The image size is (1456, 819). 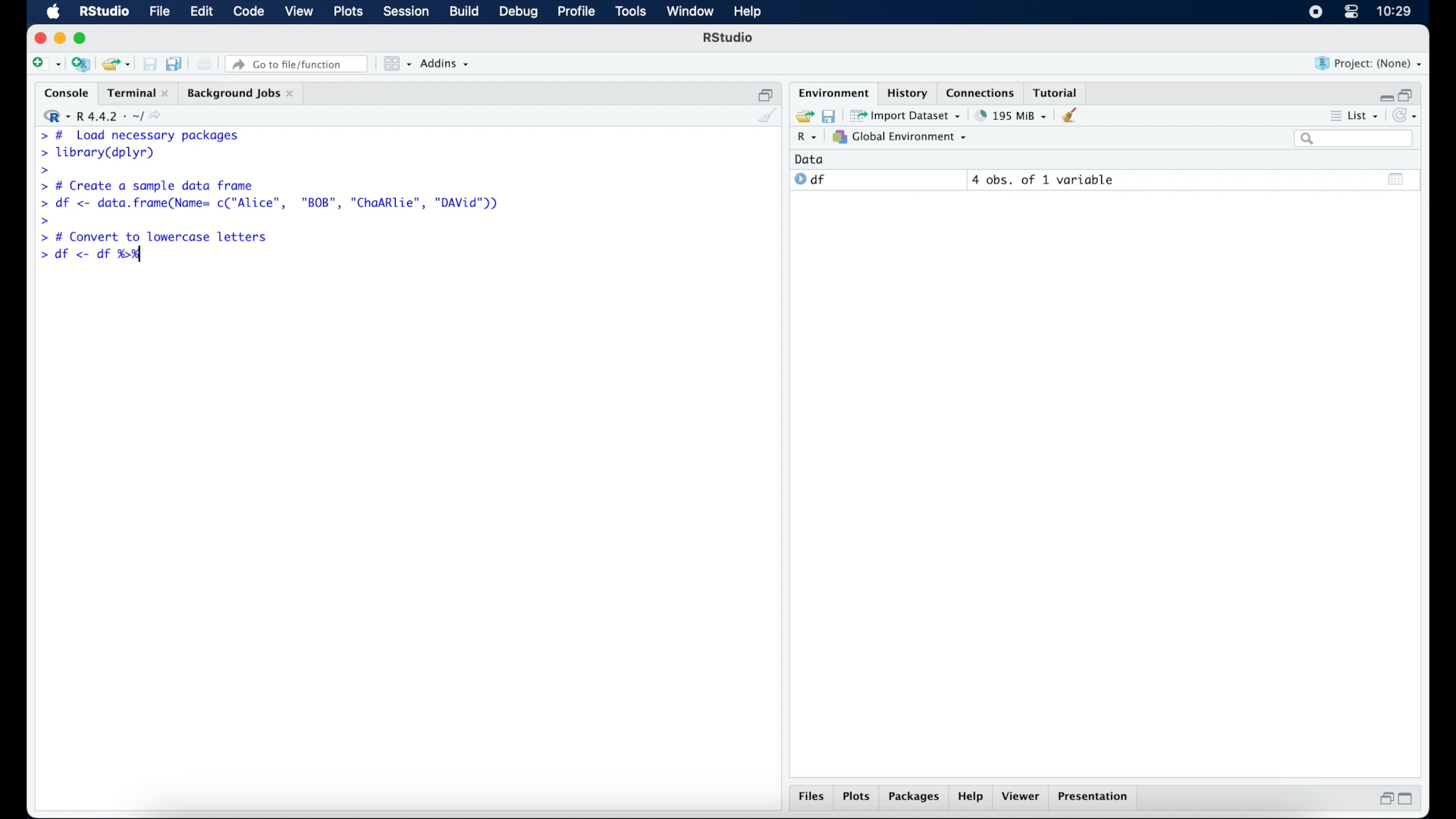 What do you see at coordinates (138, 134) in the screenshot?
I see `> # Load necessary packages|` at bounding box center [138, 134].